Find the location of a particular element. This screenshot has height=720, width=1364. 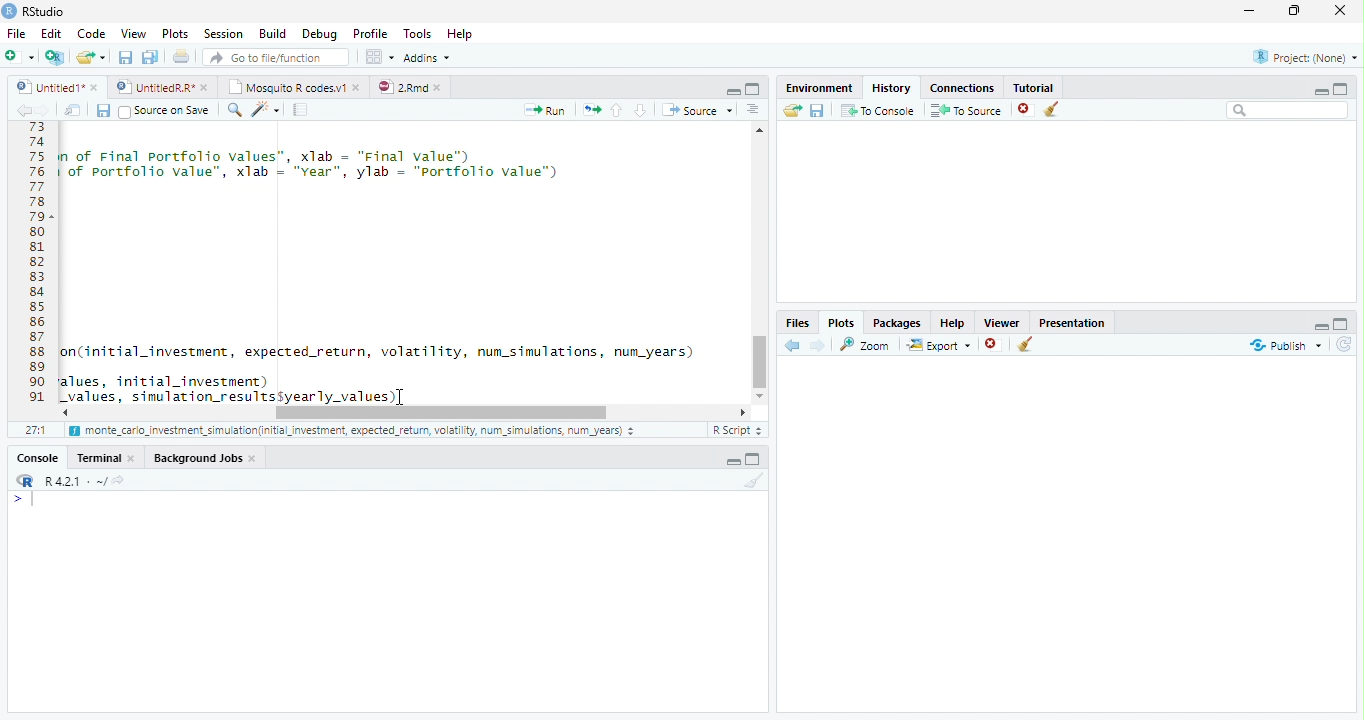

R Script is located at coordinates (737, 430).